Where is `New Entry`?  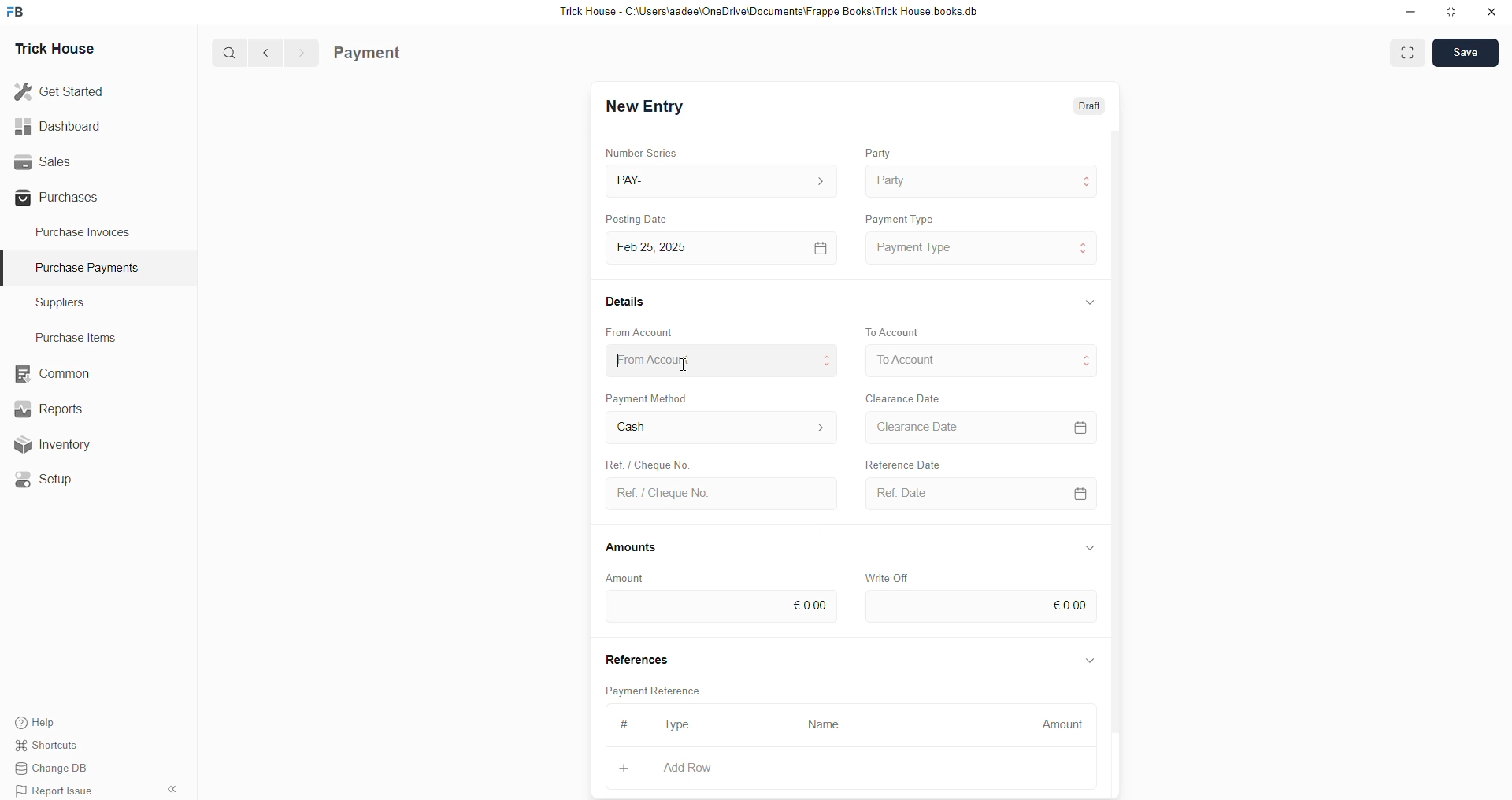 New Entry is located at coordinates (649, 107).